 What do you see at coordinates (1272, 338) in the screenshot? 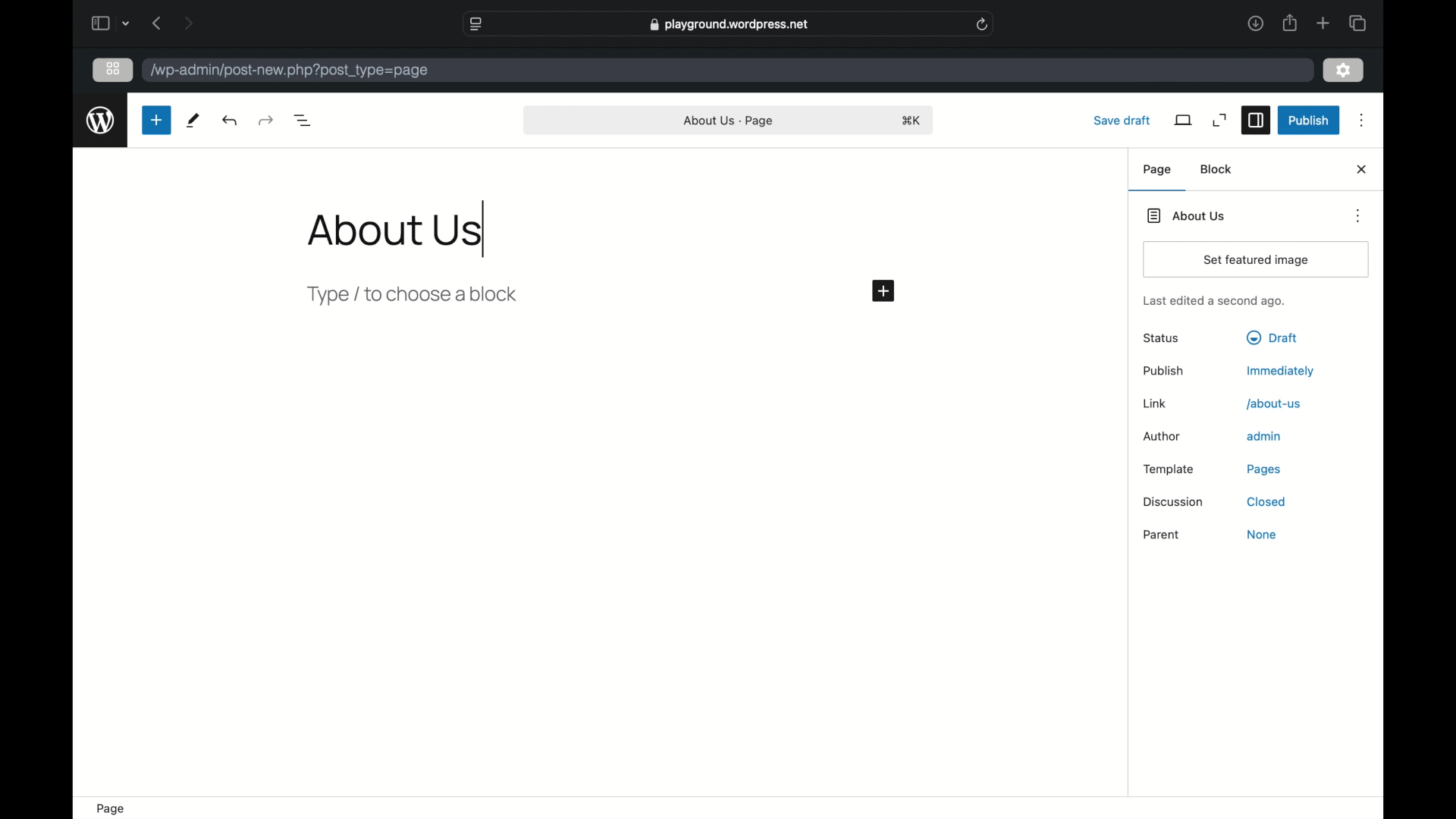
I see `draft` at bounding box center [1272, 338].